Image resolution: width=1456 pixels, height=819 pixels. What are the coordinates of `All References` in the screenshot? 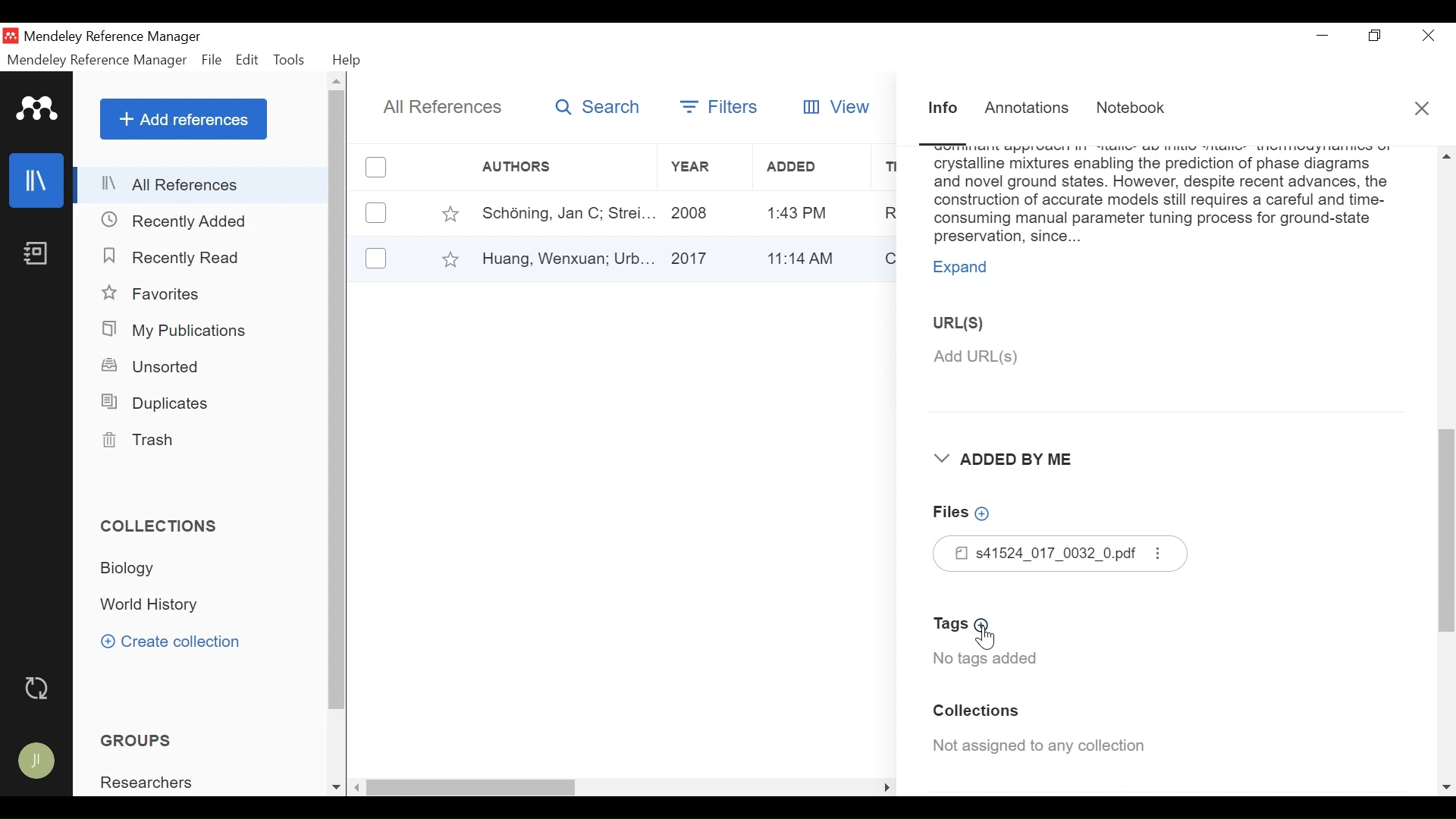 It's located at (202, 184).